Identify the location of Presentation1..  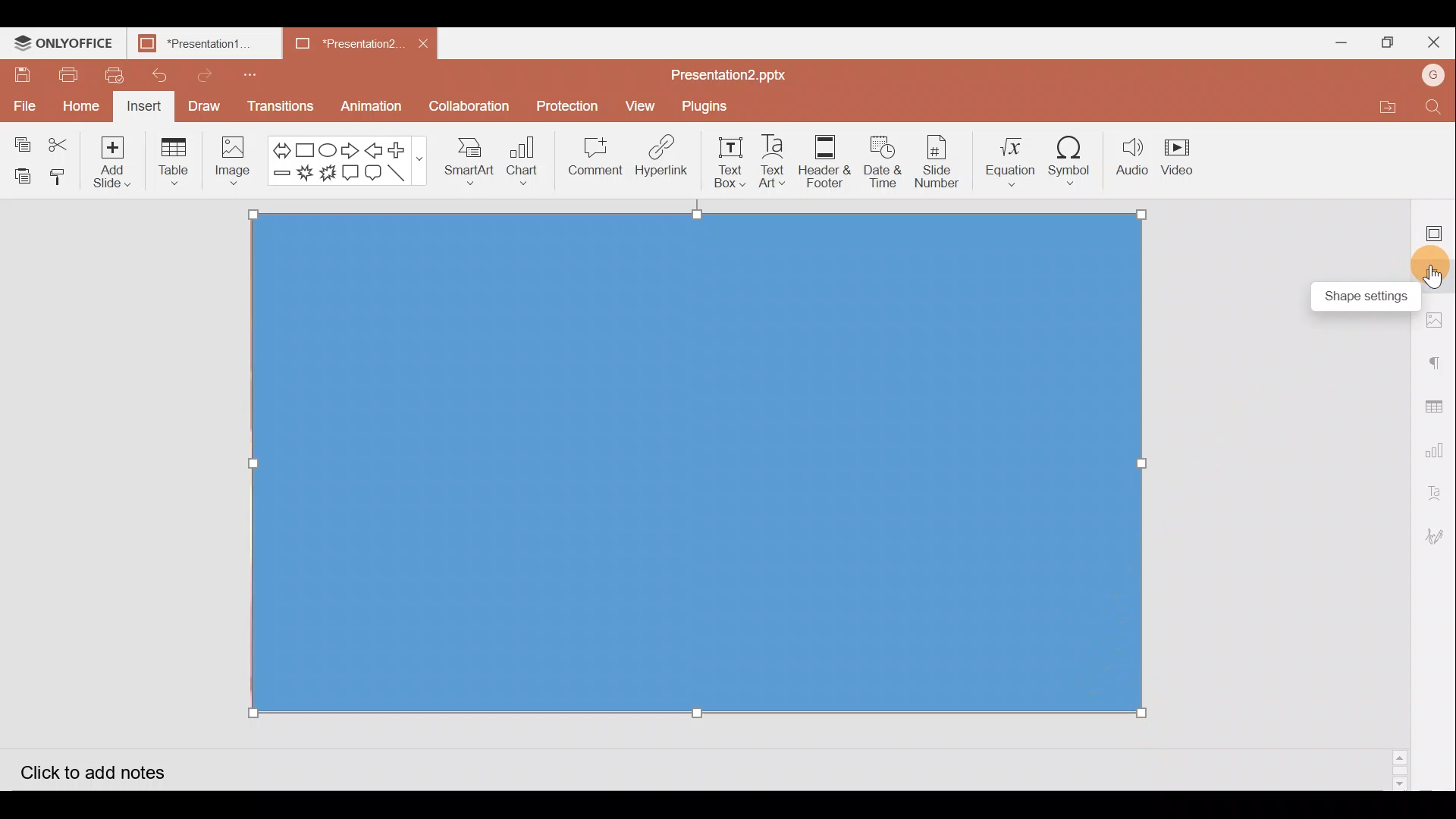
(199, 42).